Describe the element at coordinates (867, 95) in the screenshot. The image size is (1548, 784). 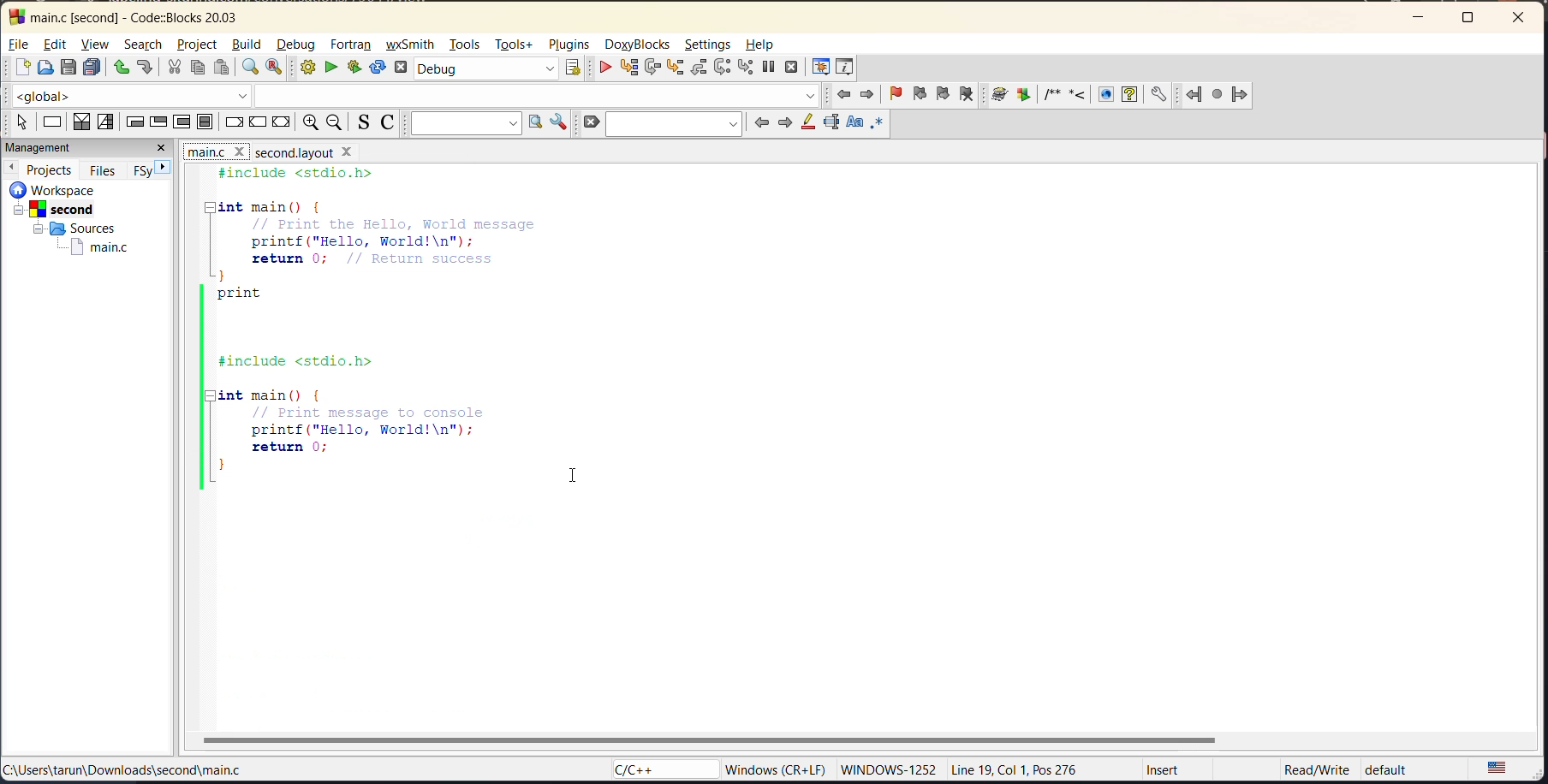
I see `jump forward` at that location.